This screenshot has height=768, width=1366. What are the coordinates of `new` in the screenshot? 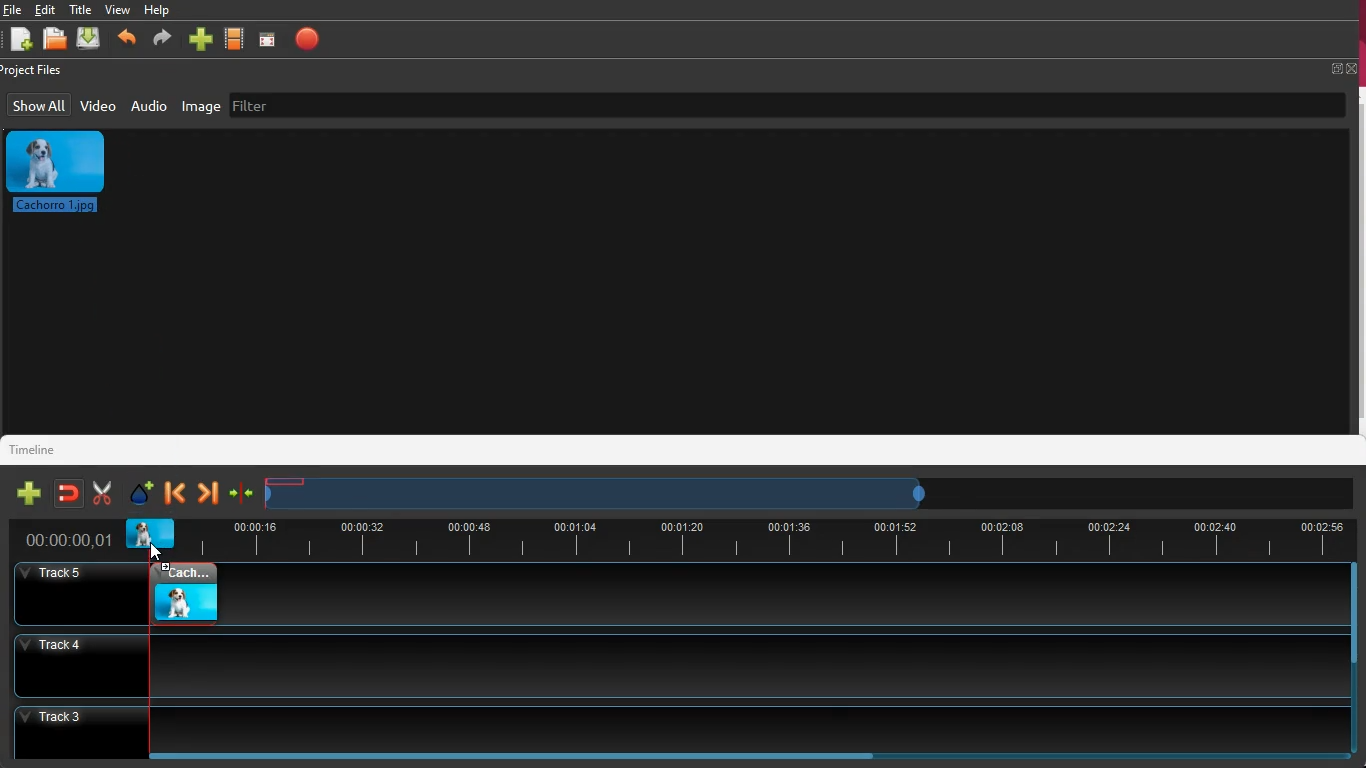 It's located at (20, 41).